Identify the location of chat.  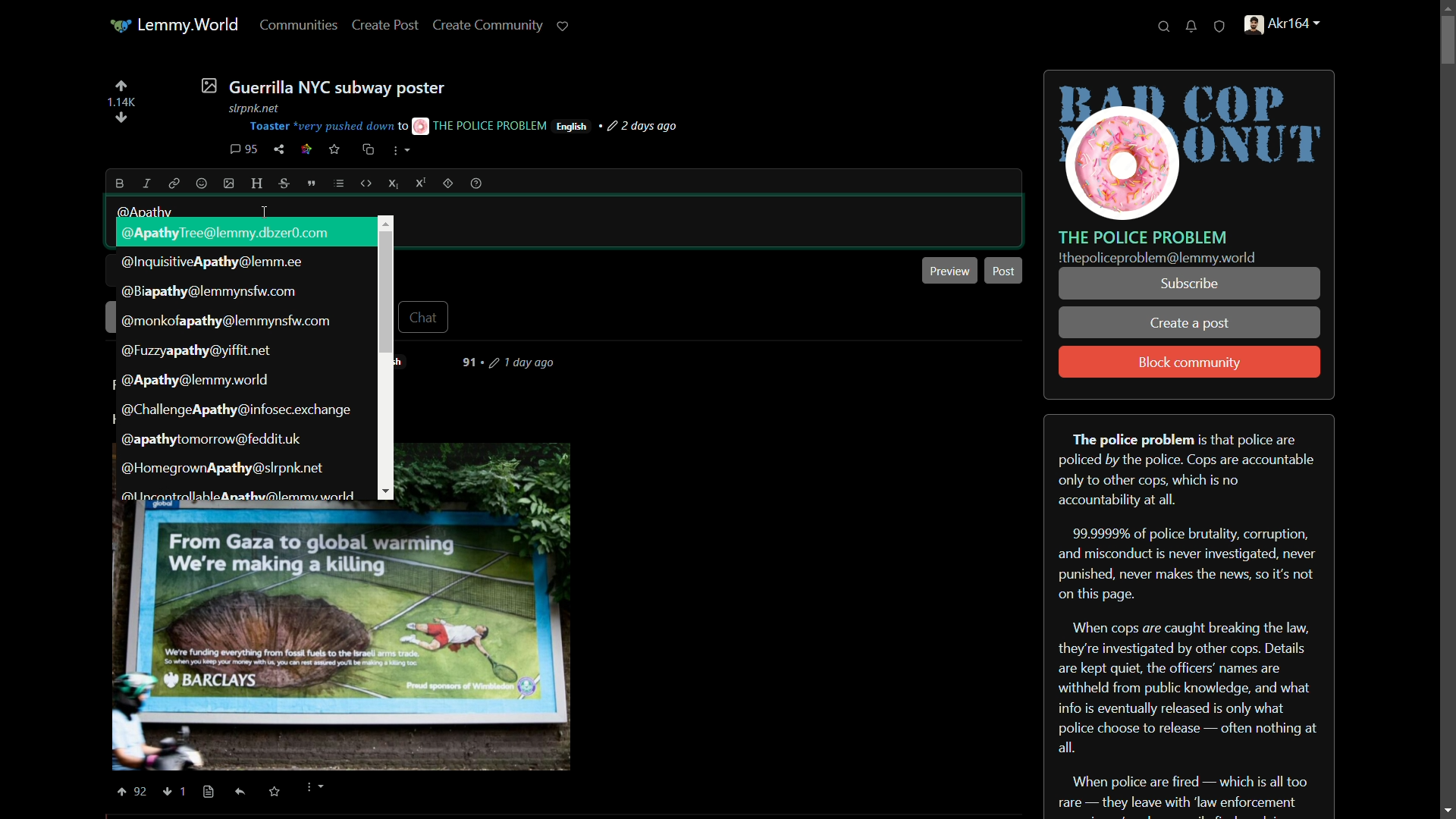
(426, 316).